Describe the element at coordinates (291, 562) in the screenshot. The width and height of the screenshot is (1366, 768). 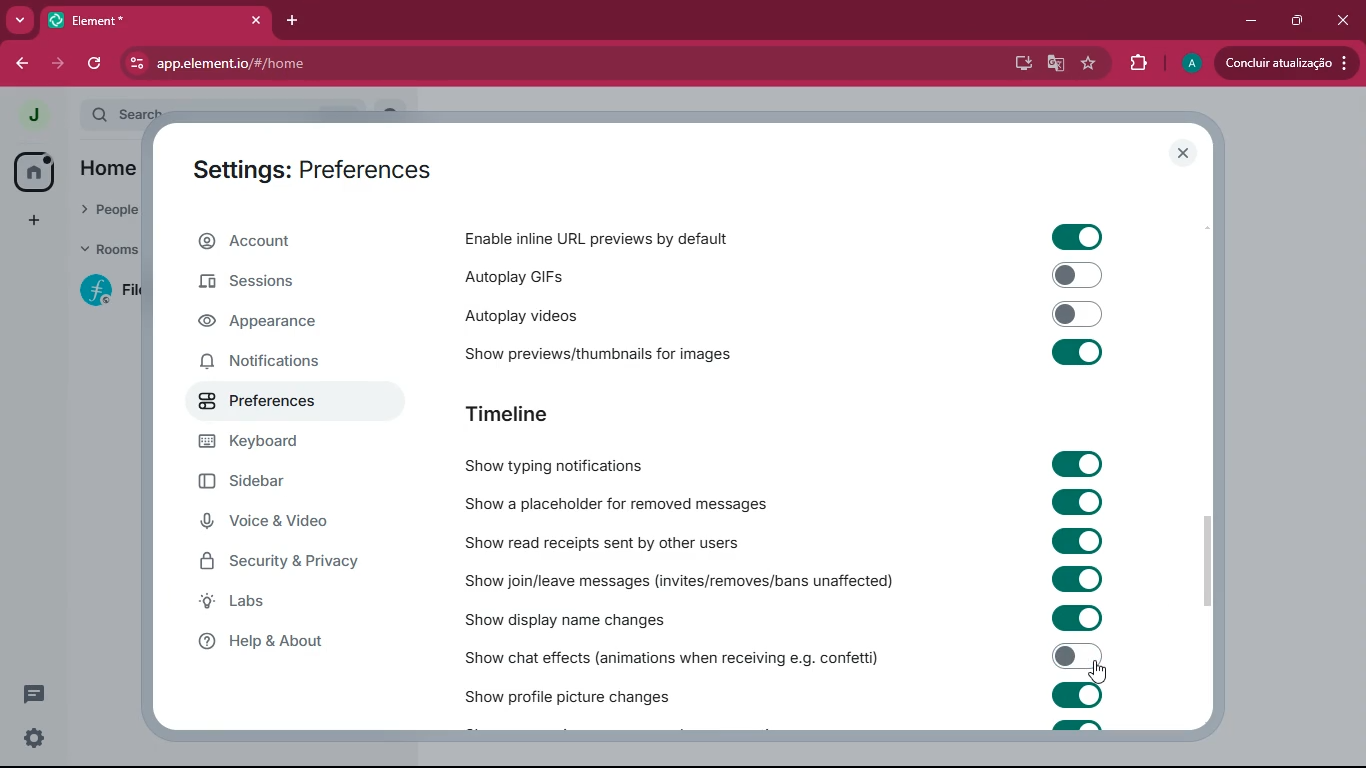
I see `security & privacy` at that location.